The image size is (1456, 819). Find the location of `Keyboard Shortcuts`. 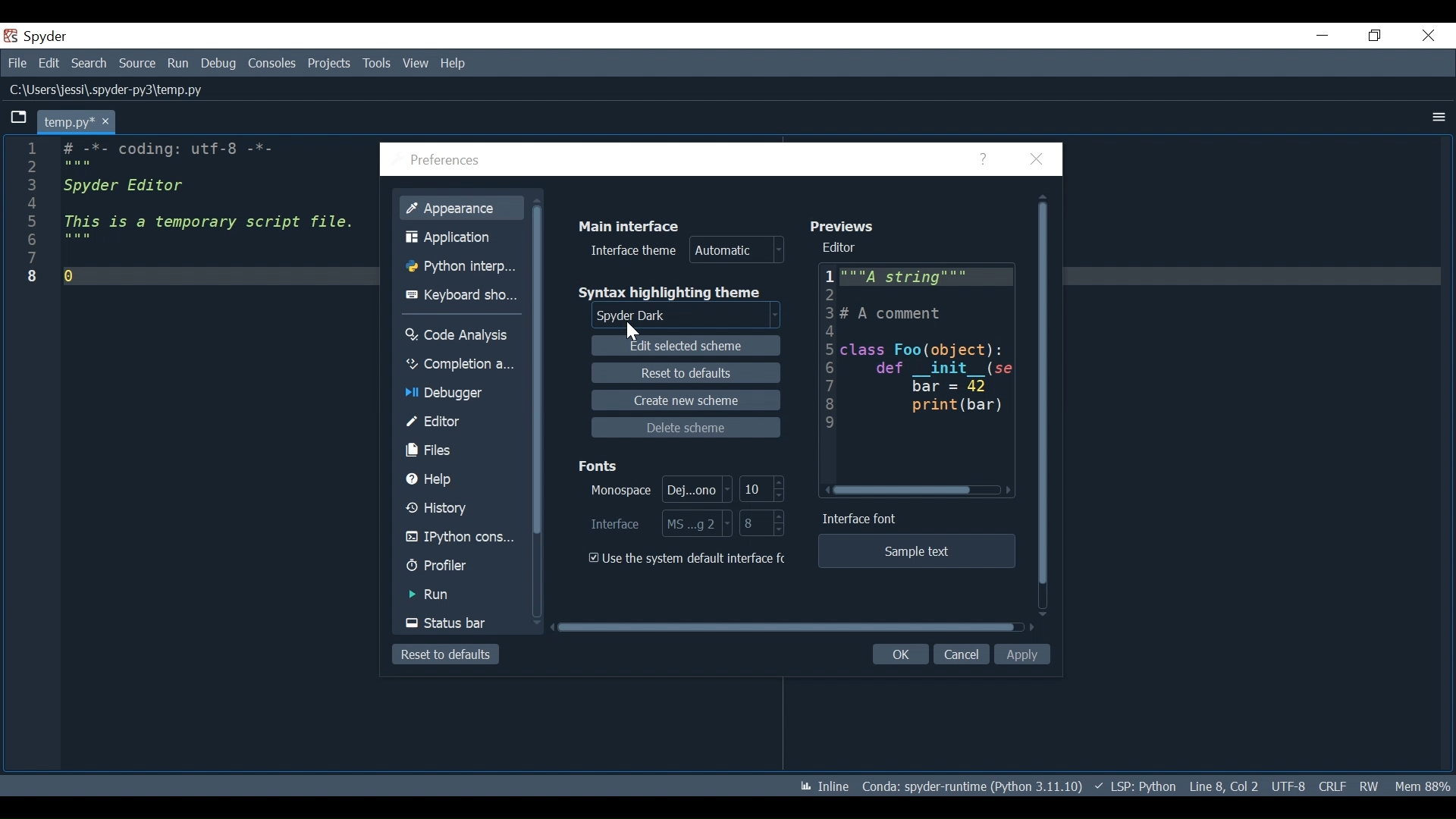

Keyboard Shortcuts is located at coordinates (459, 296).